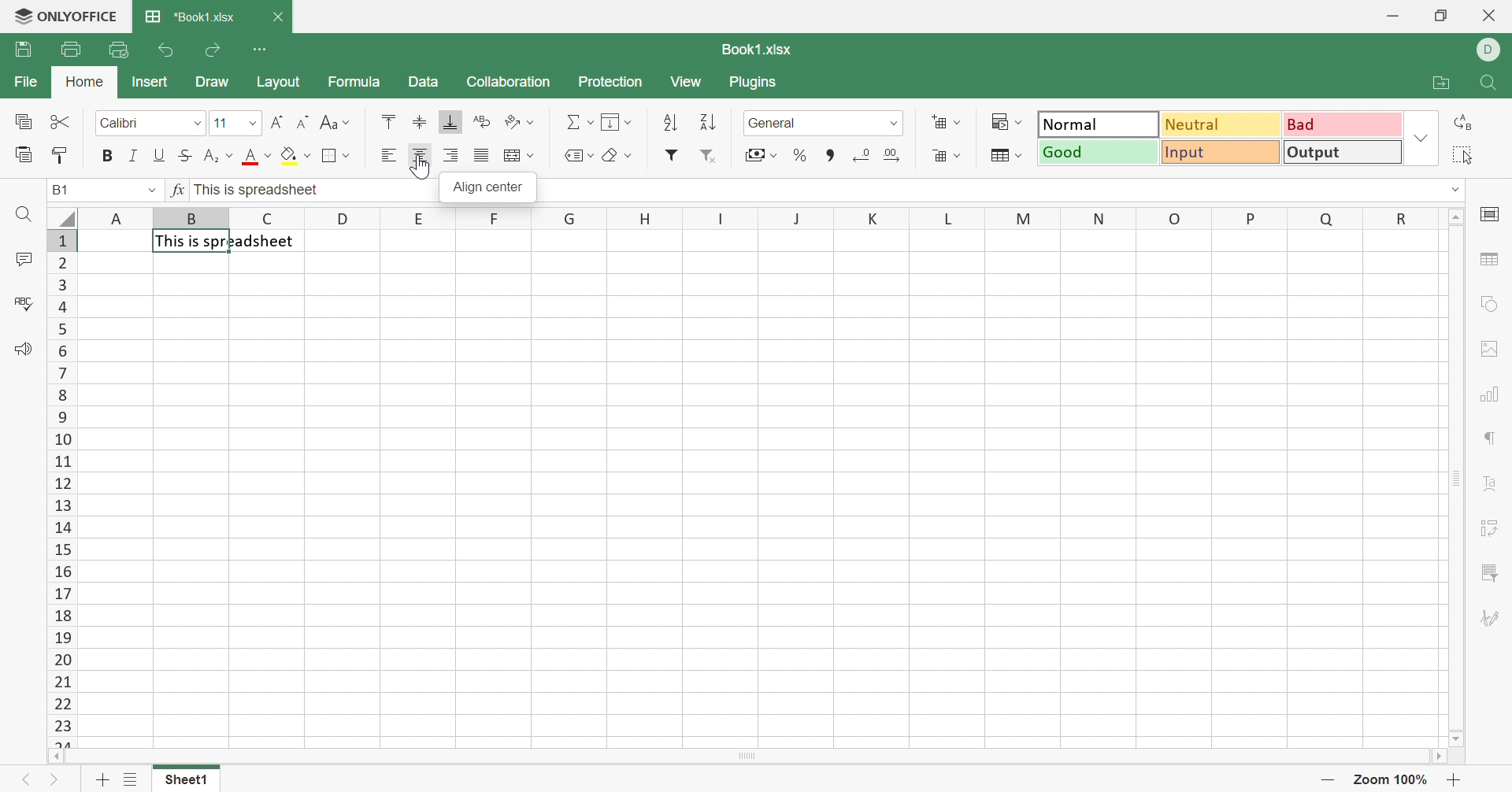  I want to click on Cursor, so click(421, 165).